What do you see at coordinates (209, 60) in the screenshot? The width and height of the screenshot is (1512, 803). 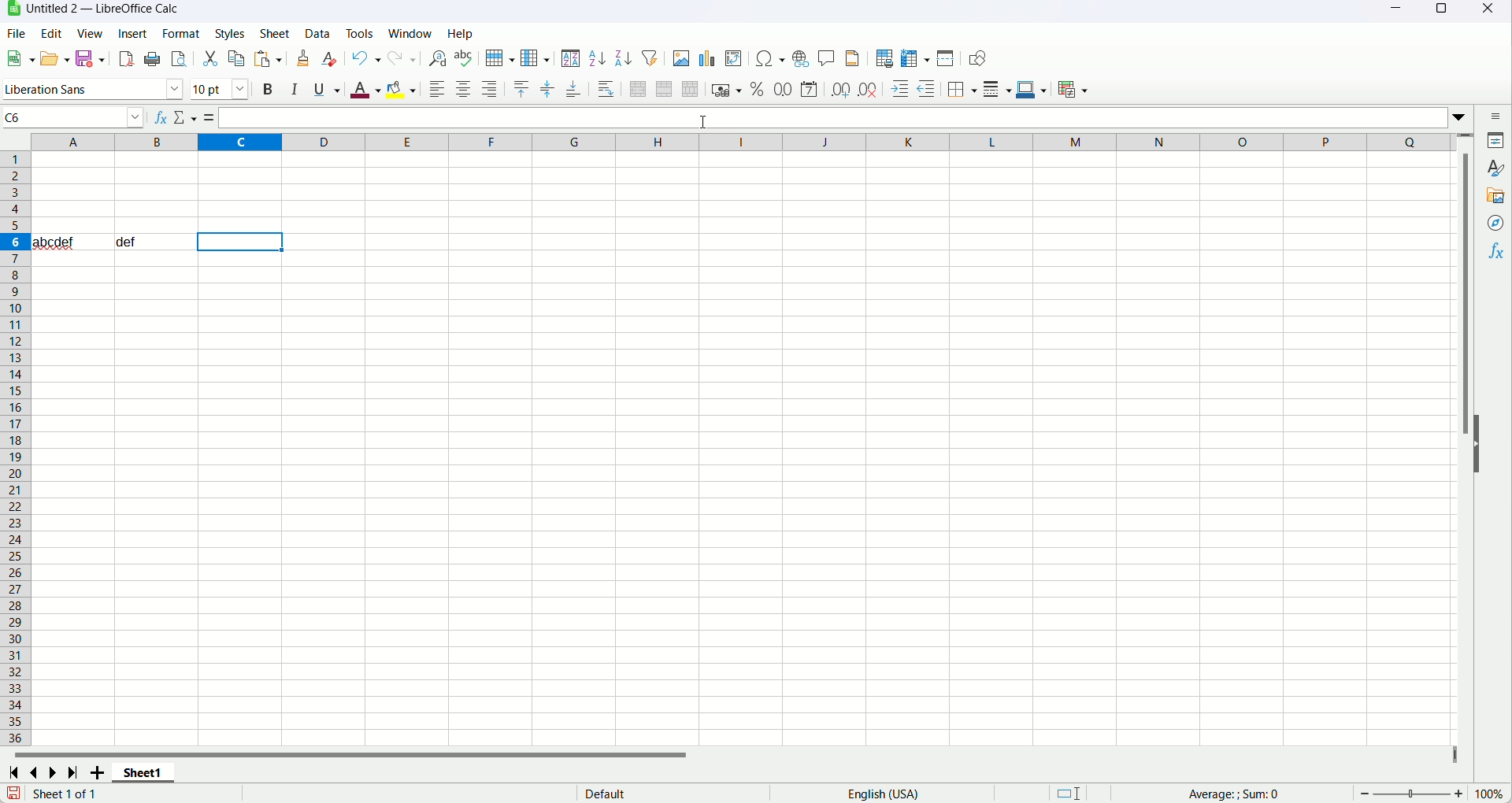 I see `cut` at bounding box center [209, 60].